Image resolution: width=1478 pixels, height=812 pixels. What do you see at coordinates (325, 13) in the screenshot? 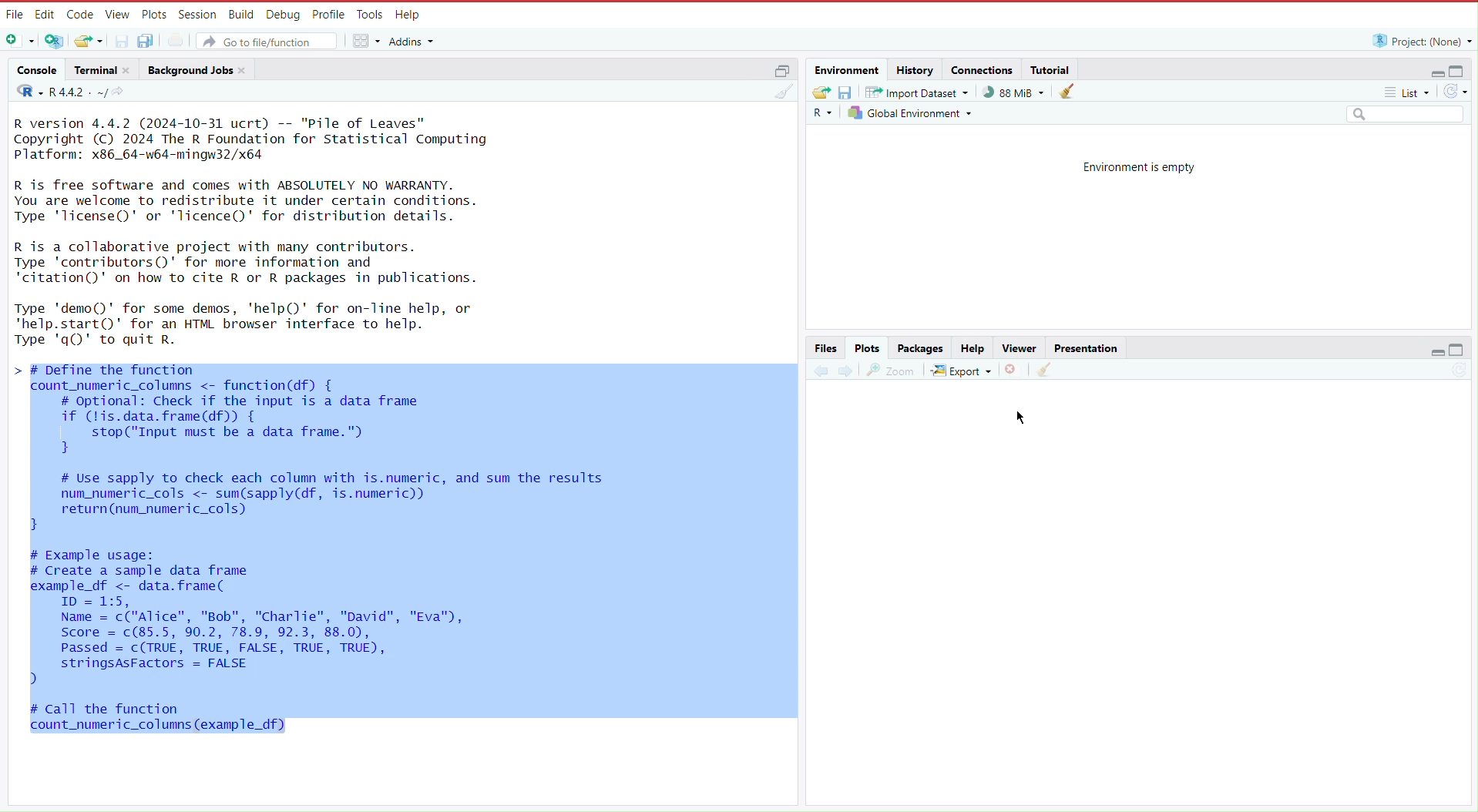
I see `Profile` at bounding box center [325, 13].